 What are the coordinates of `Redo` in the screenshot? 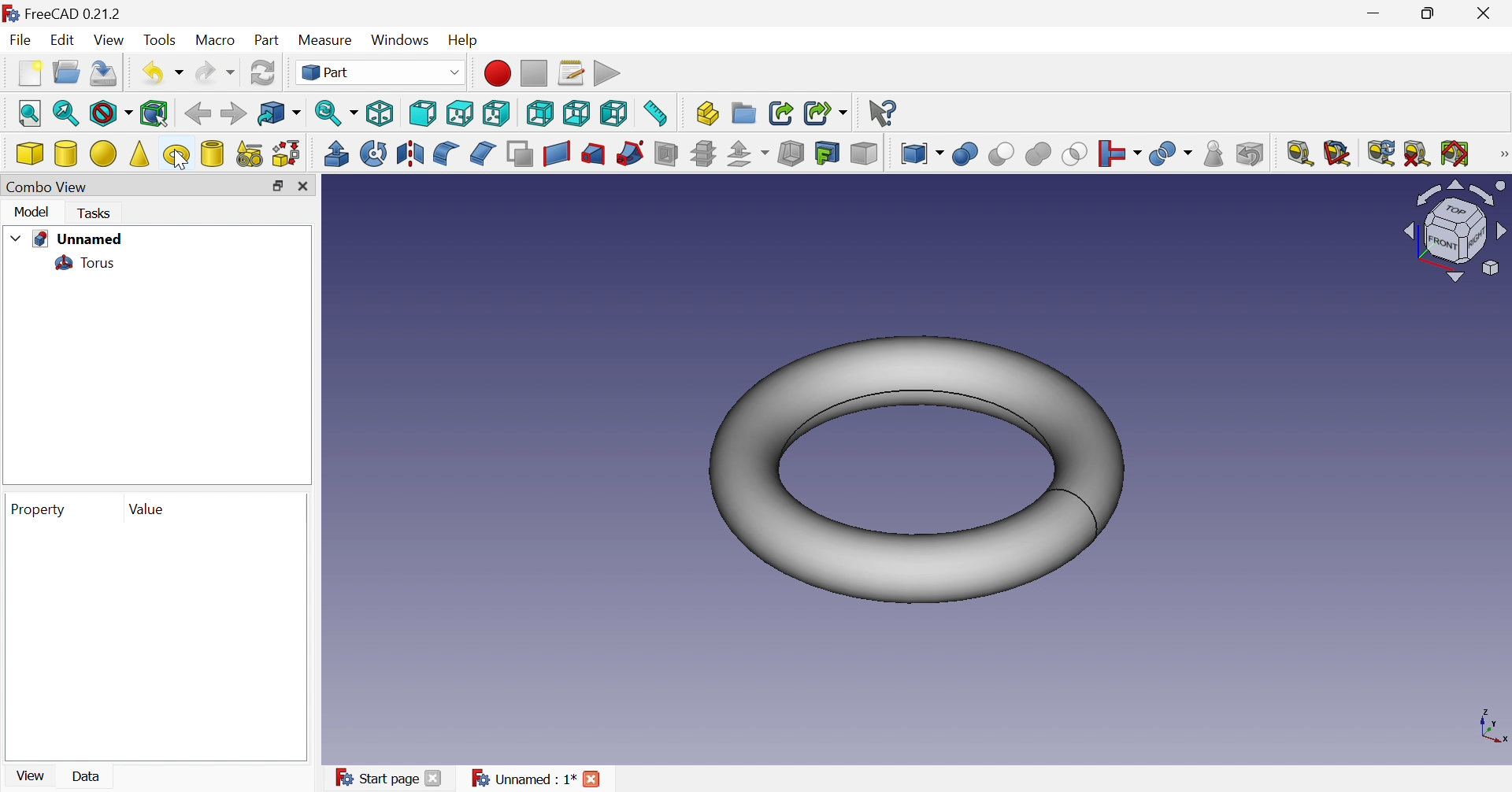 It's located at (216, 71).